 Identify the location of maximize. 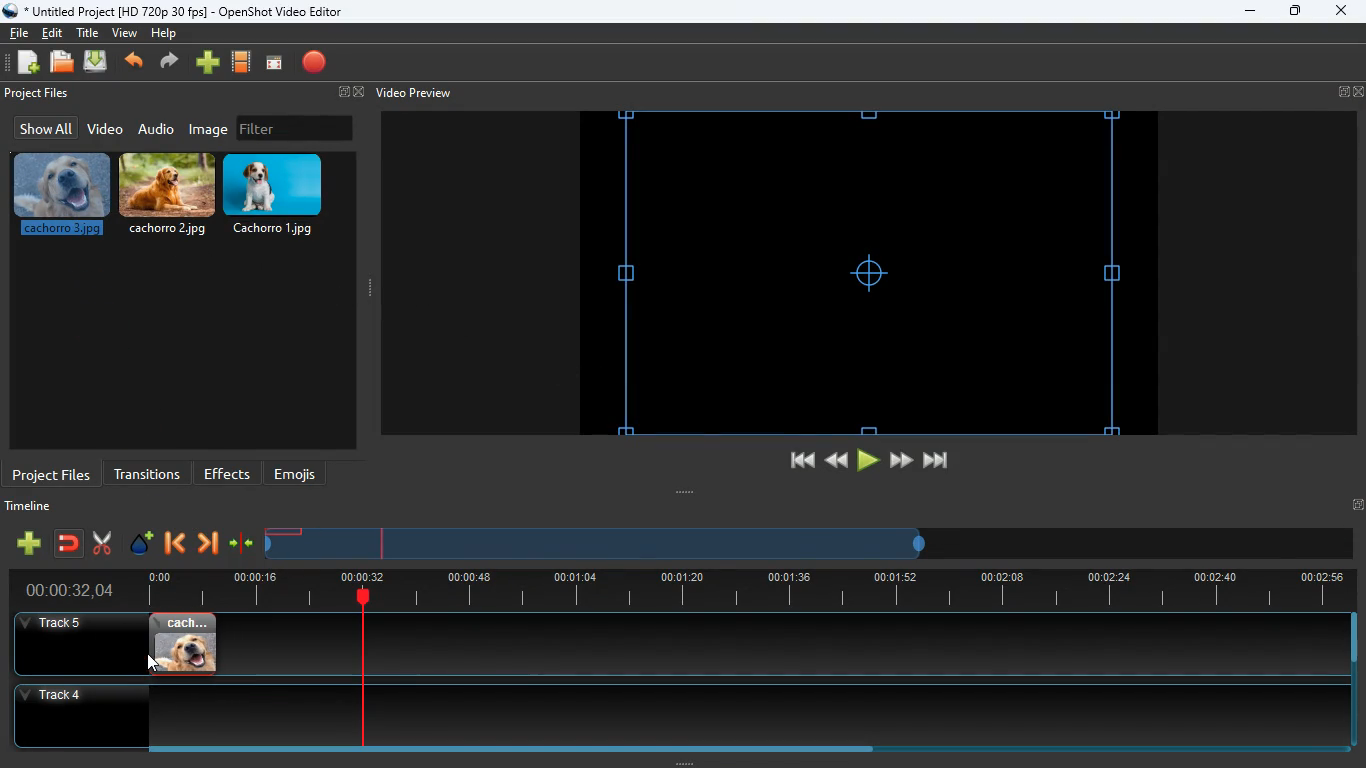
(1296, 13).